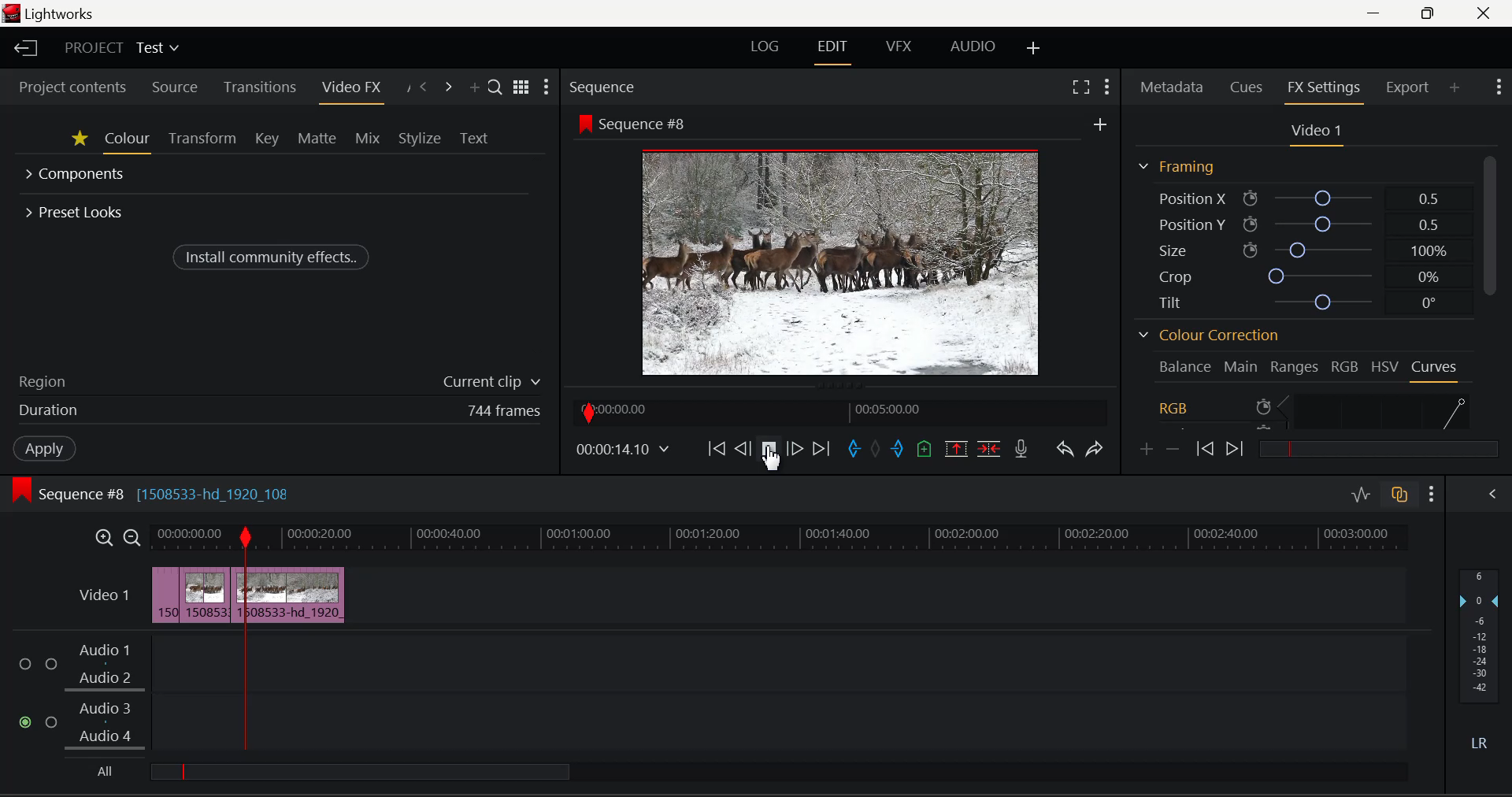 The width and height of the screenshot is (1512, 797). I want to click on To Start, so click(718, 450).